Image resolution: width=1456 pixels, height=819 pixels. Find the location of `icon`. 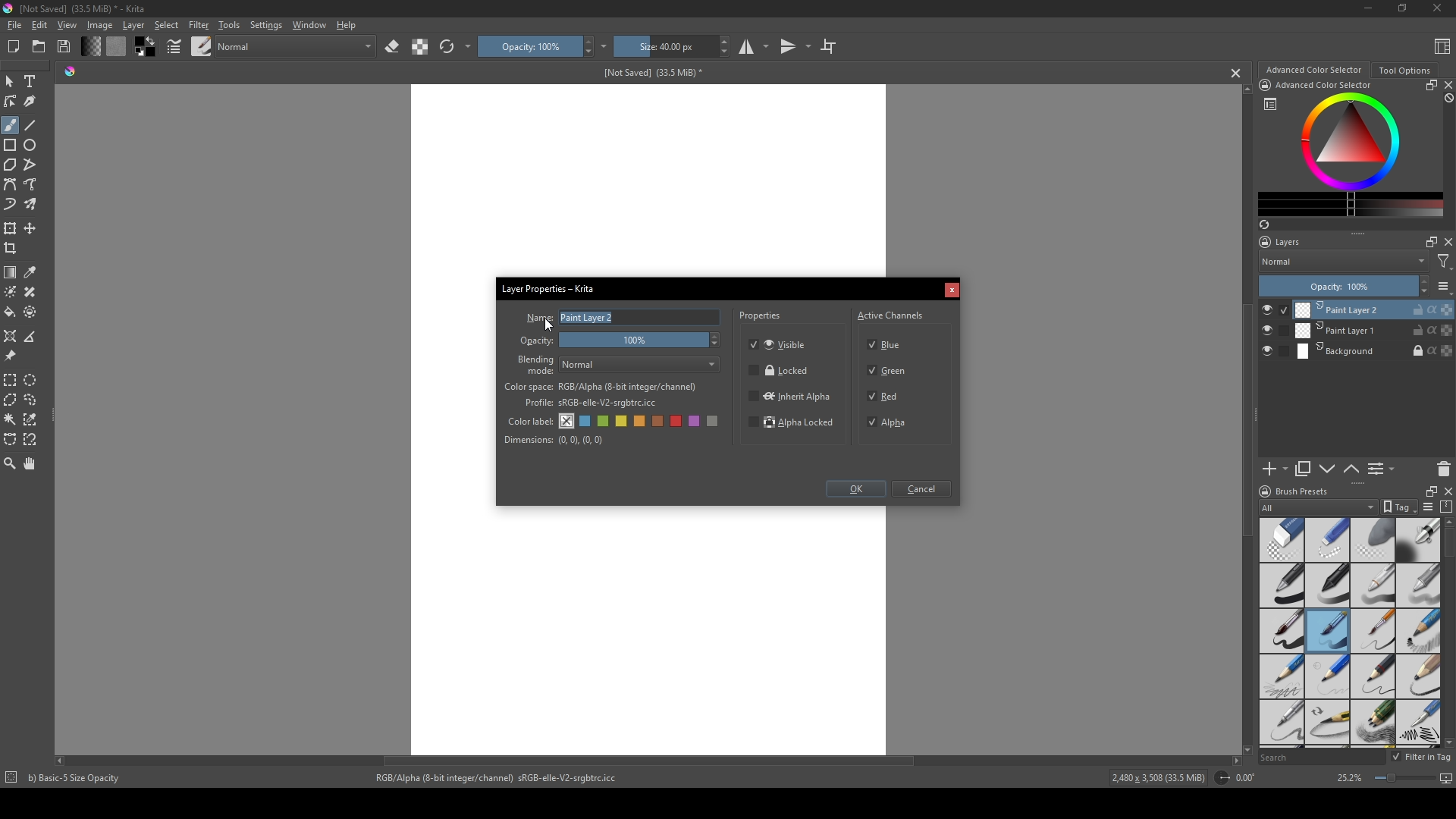

icon is located at coordinates (1264, 85).